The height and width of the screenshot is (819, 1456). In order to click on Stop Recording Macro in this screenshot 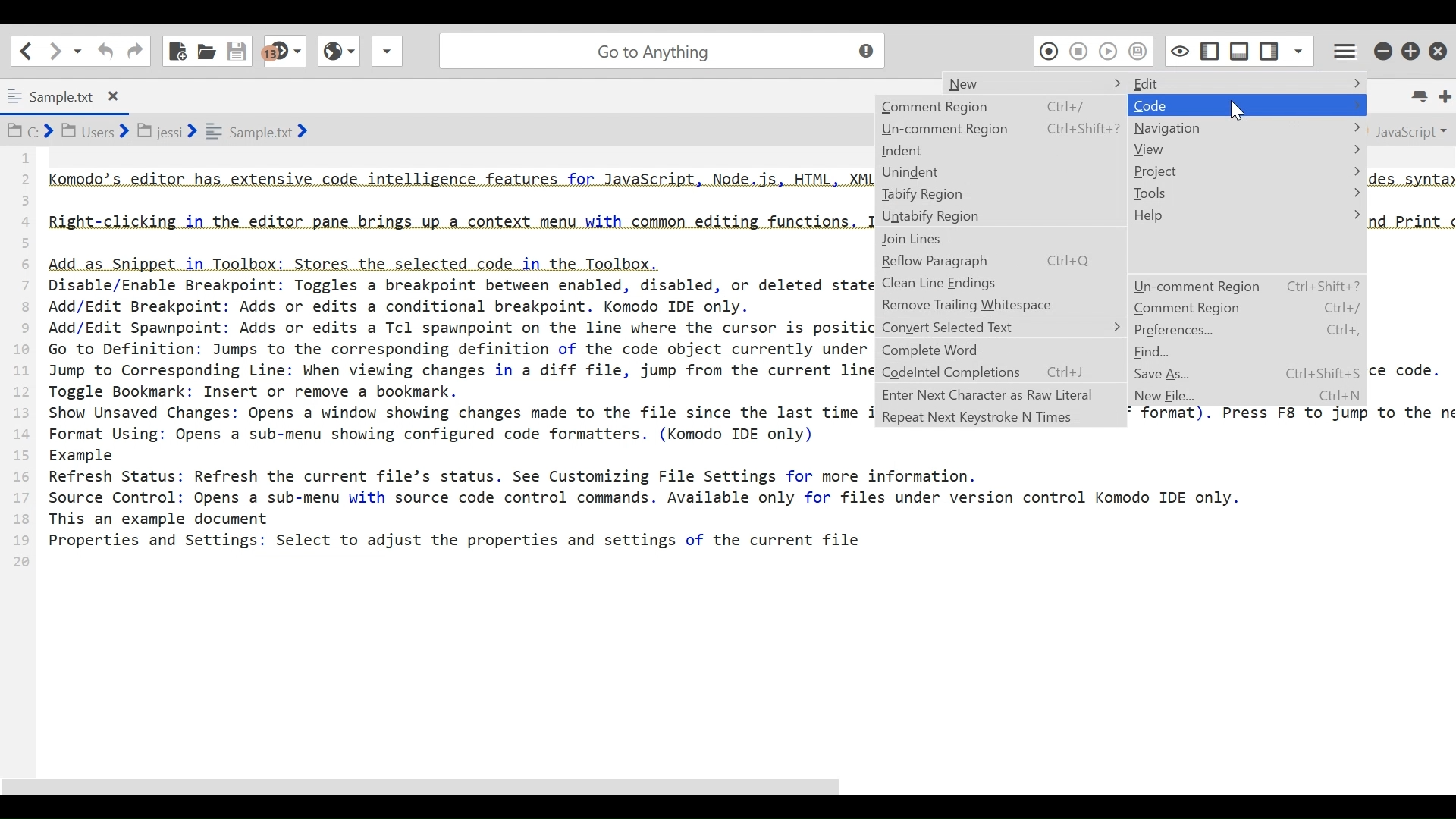, I will do `click(1079, 51)`.